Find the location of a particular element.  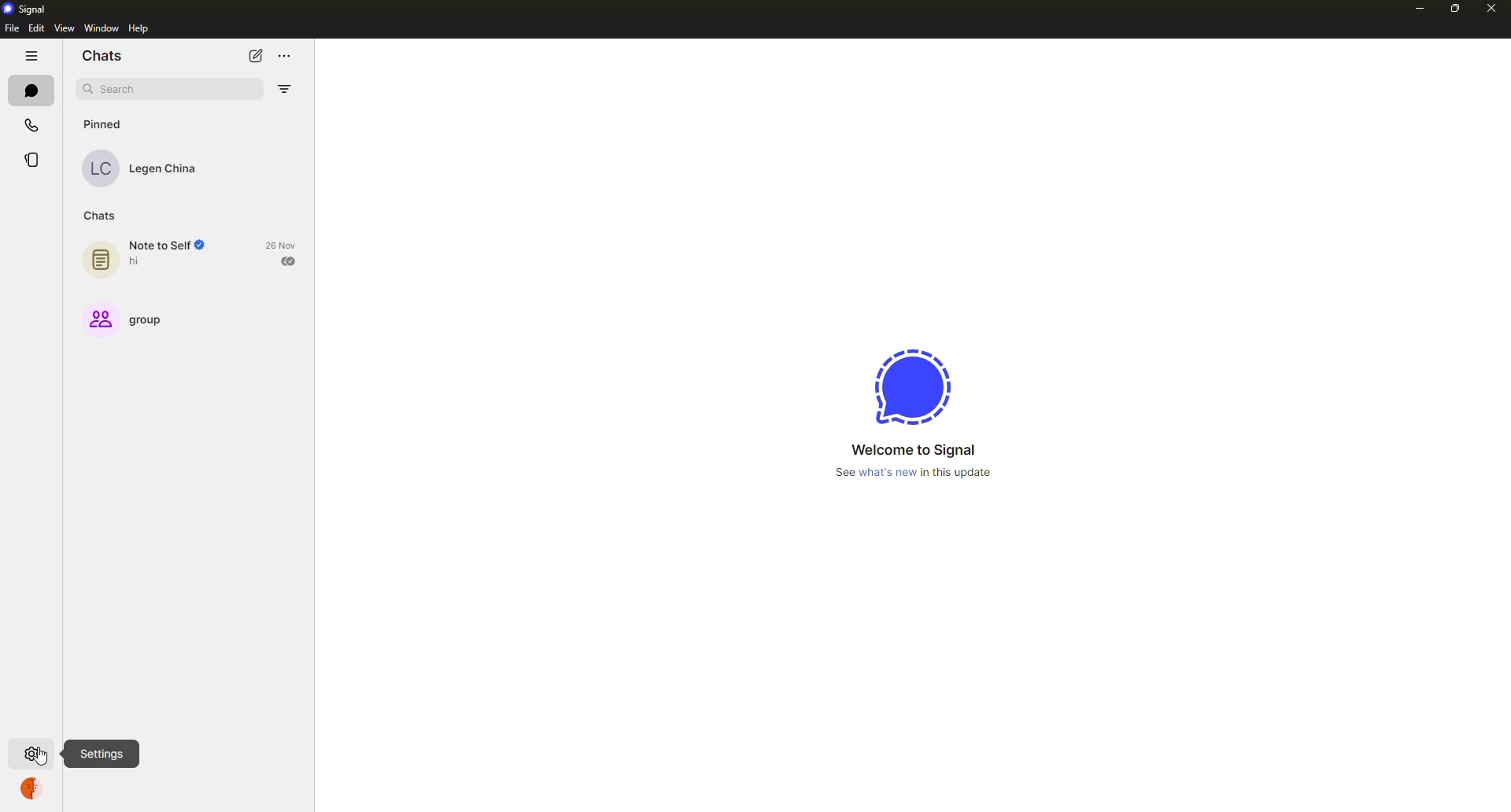

view is located at coordinates (63, 30).